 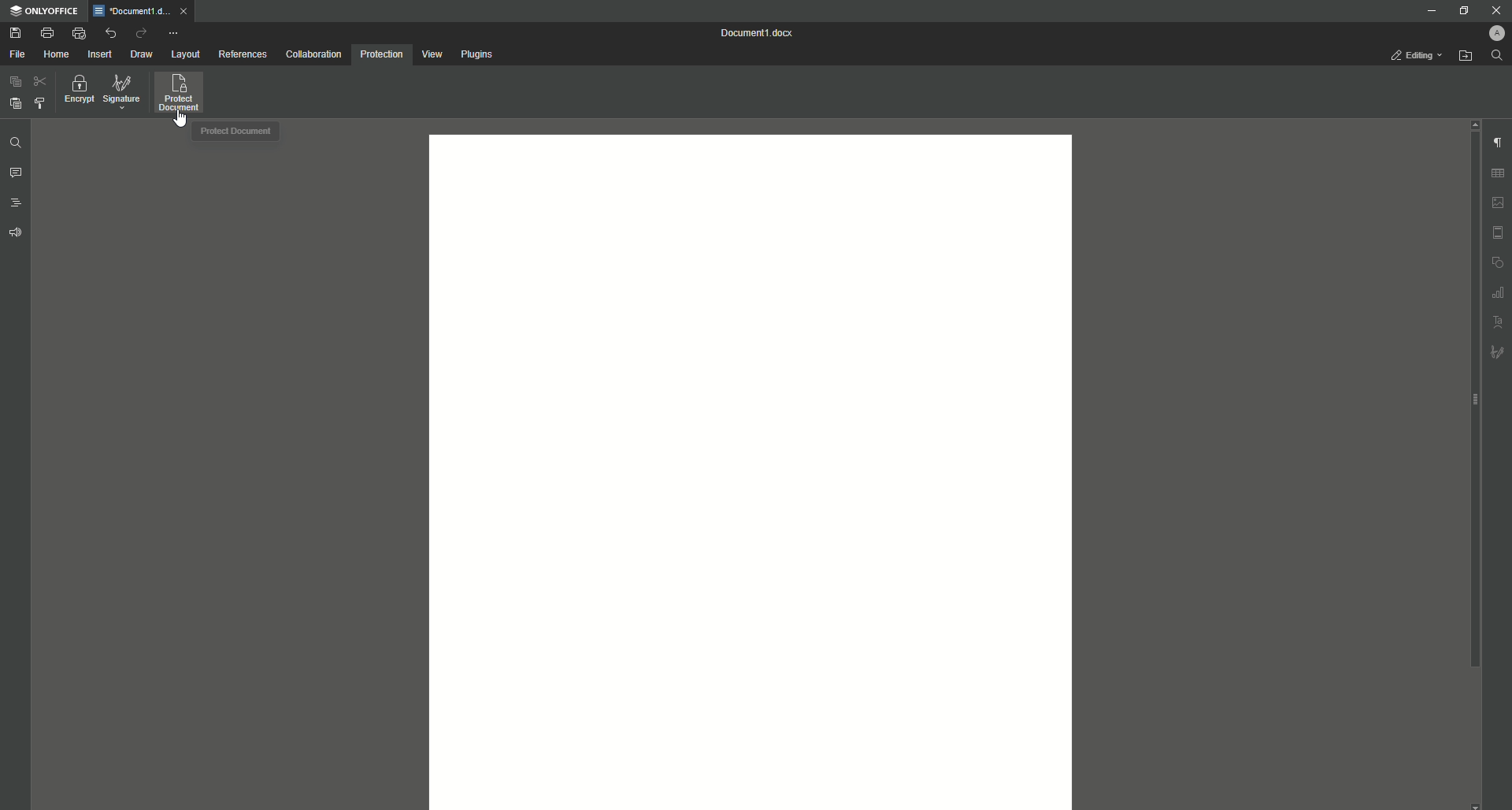 I want to click on Open From File, so click(x=1464, y=56).